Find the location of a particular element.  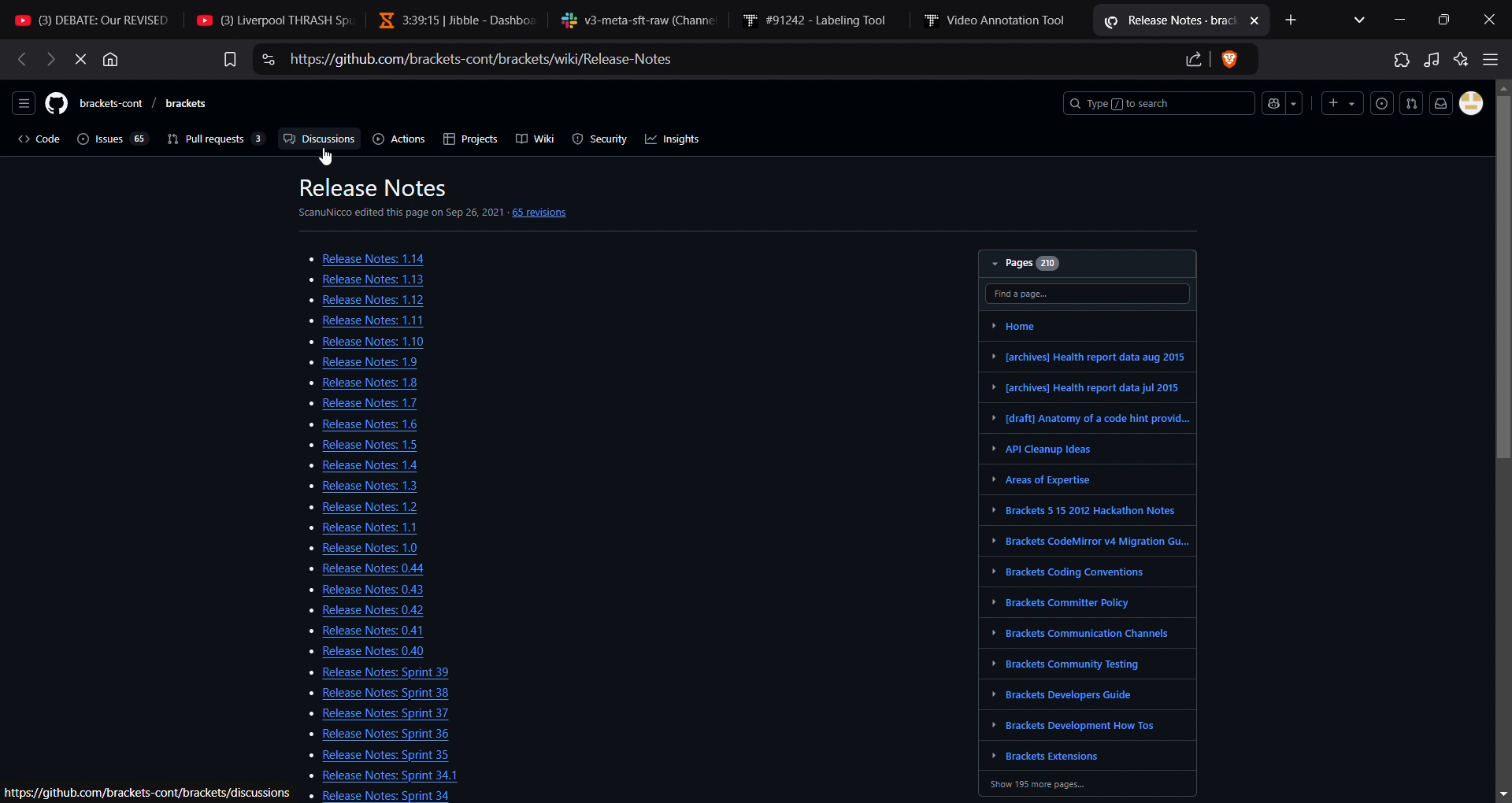

wiki is located at coordinates (534, 139).